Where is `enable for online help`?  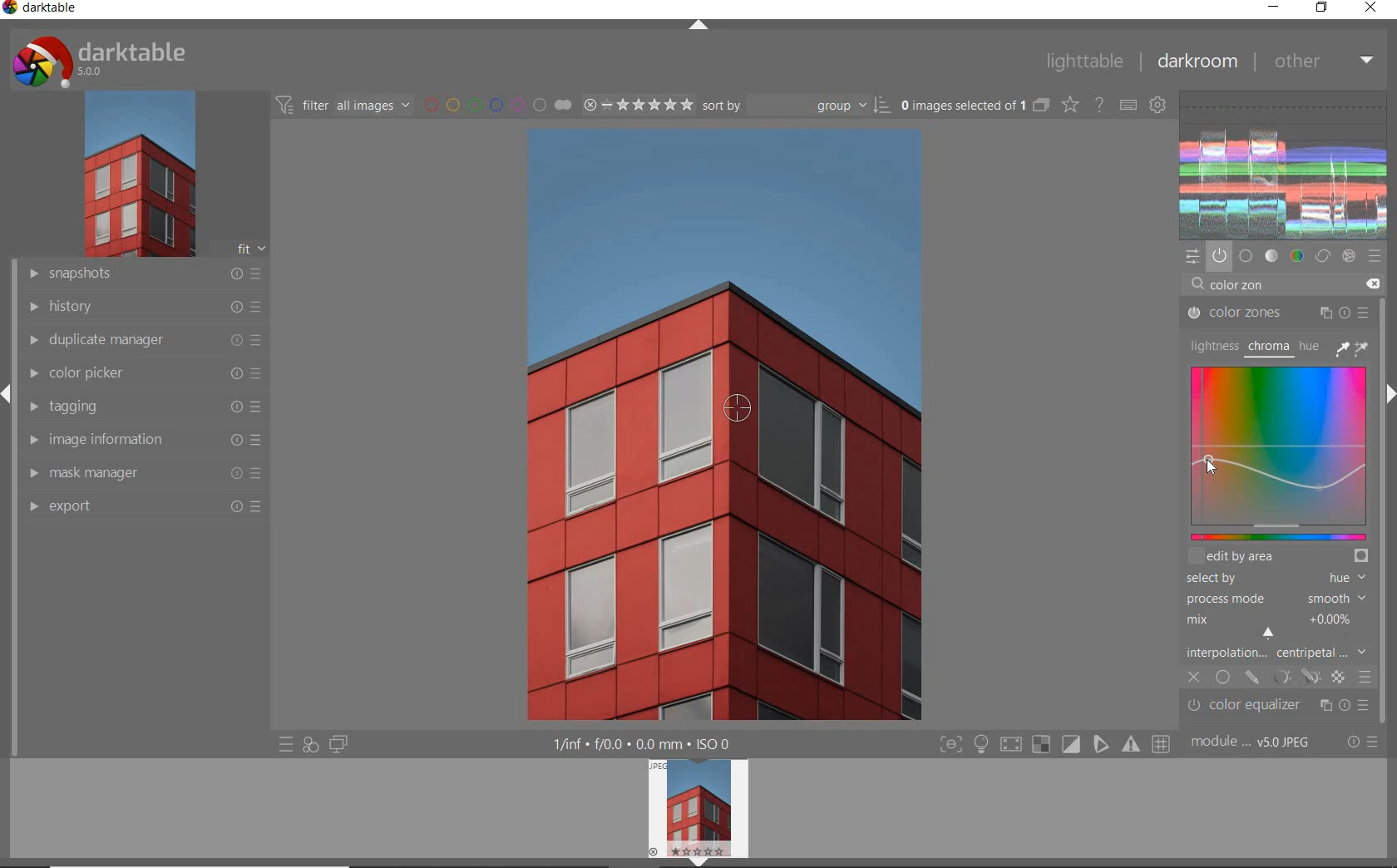
enable for online help is located at coordinates (1100, 104).